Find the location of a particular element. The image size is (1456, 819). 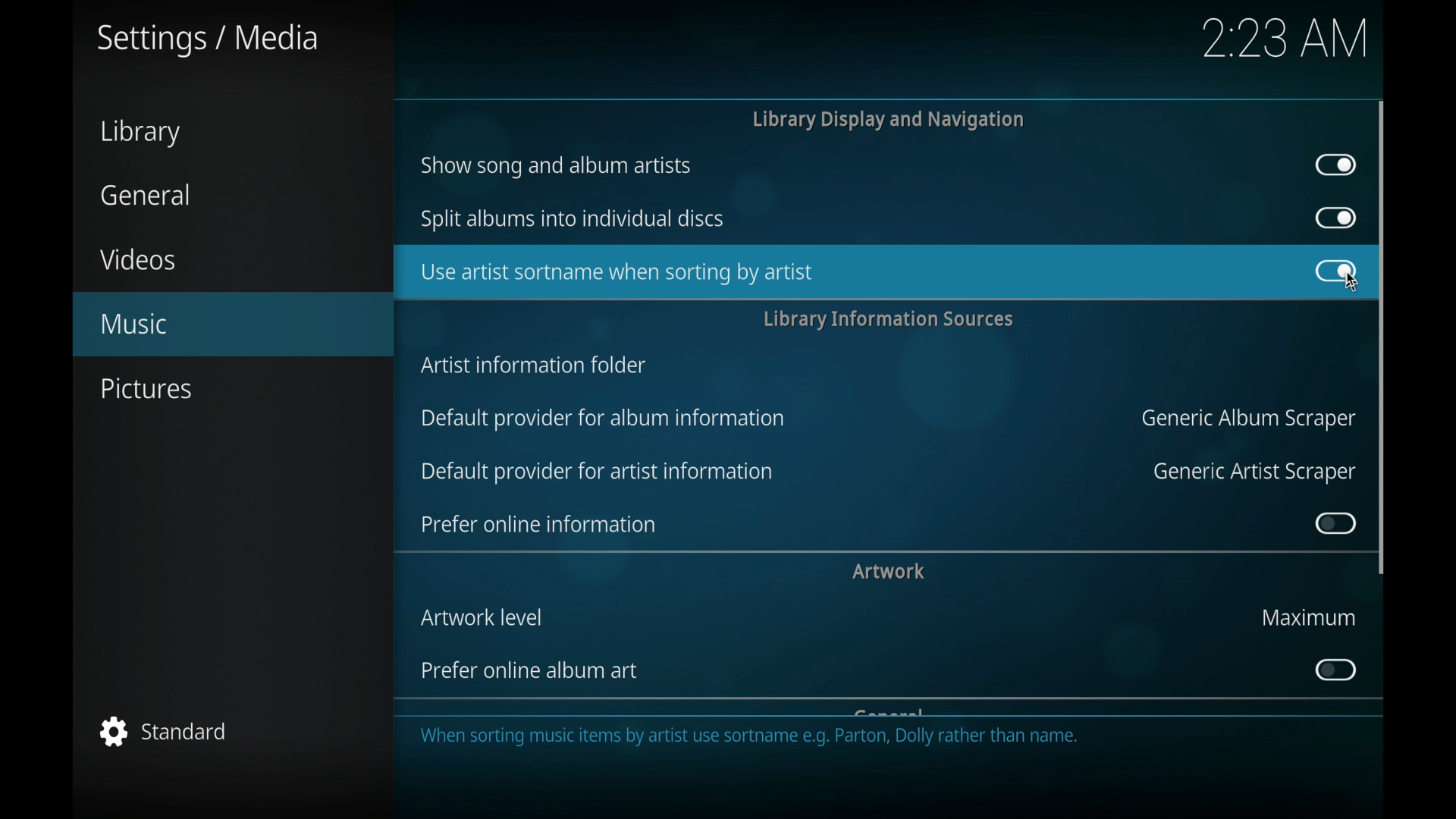

settings/media is located at coordinates (208, 40).